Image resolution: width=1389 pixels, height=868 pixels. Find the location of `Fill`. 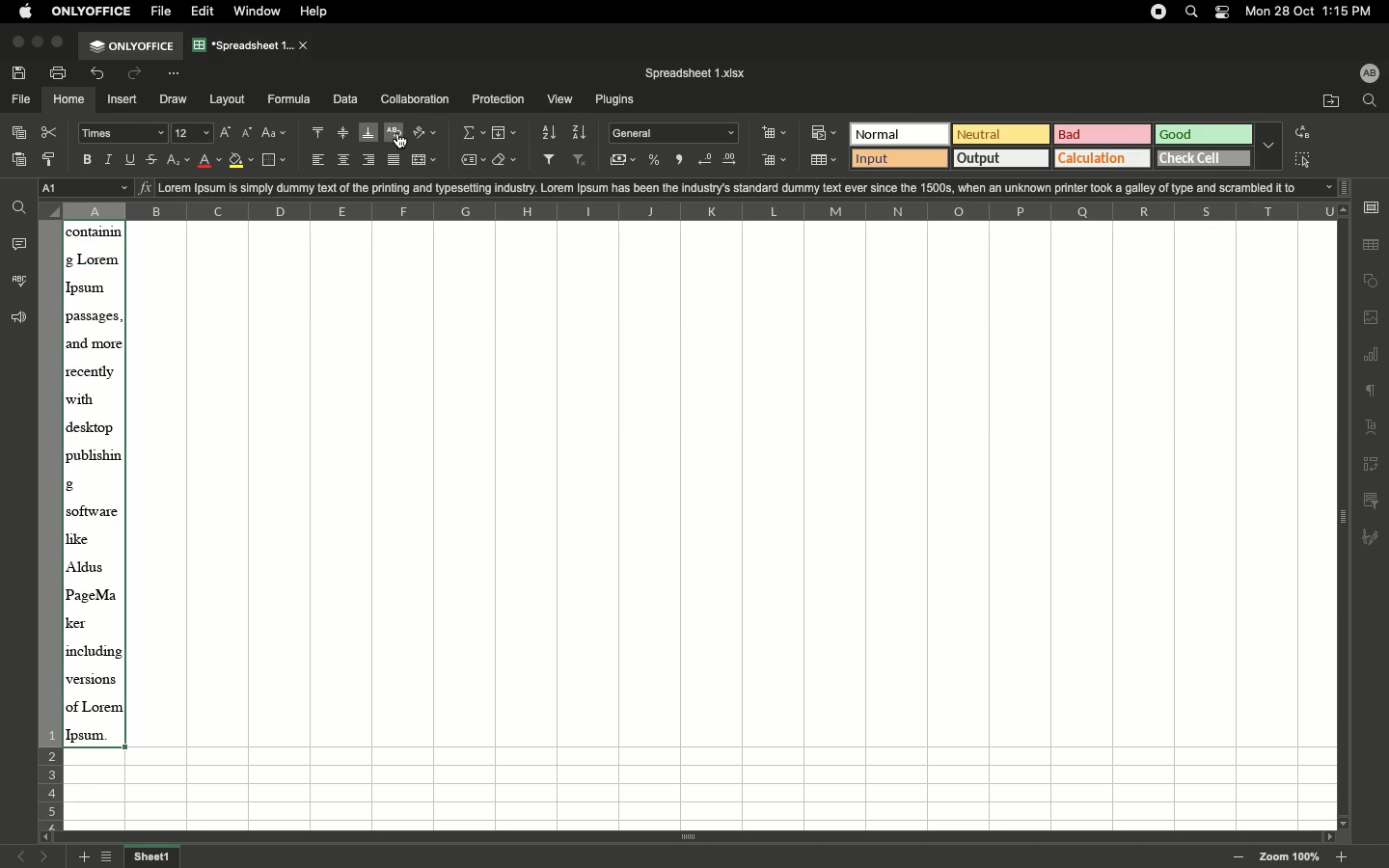

Fill is located at coordinates (505, 134).